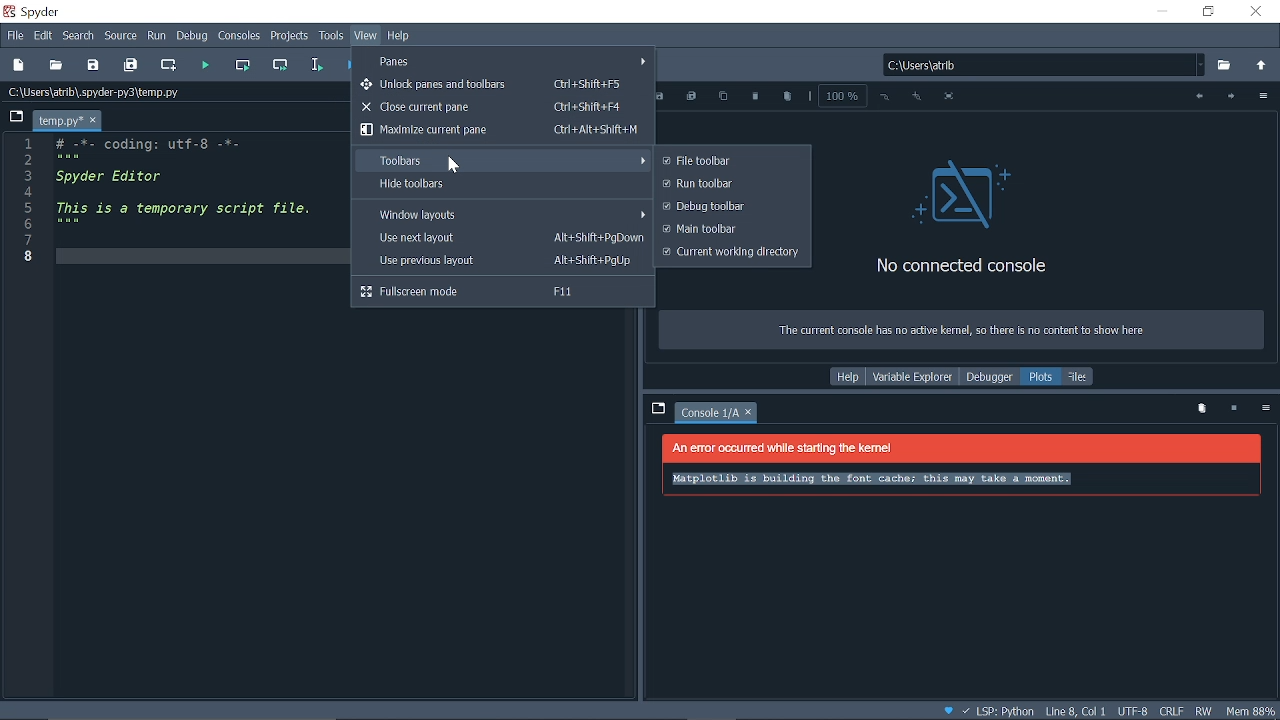 Image resolution: width=1280 pixels, height=720 pixels. I want to click on File, so click(13, 35).